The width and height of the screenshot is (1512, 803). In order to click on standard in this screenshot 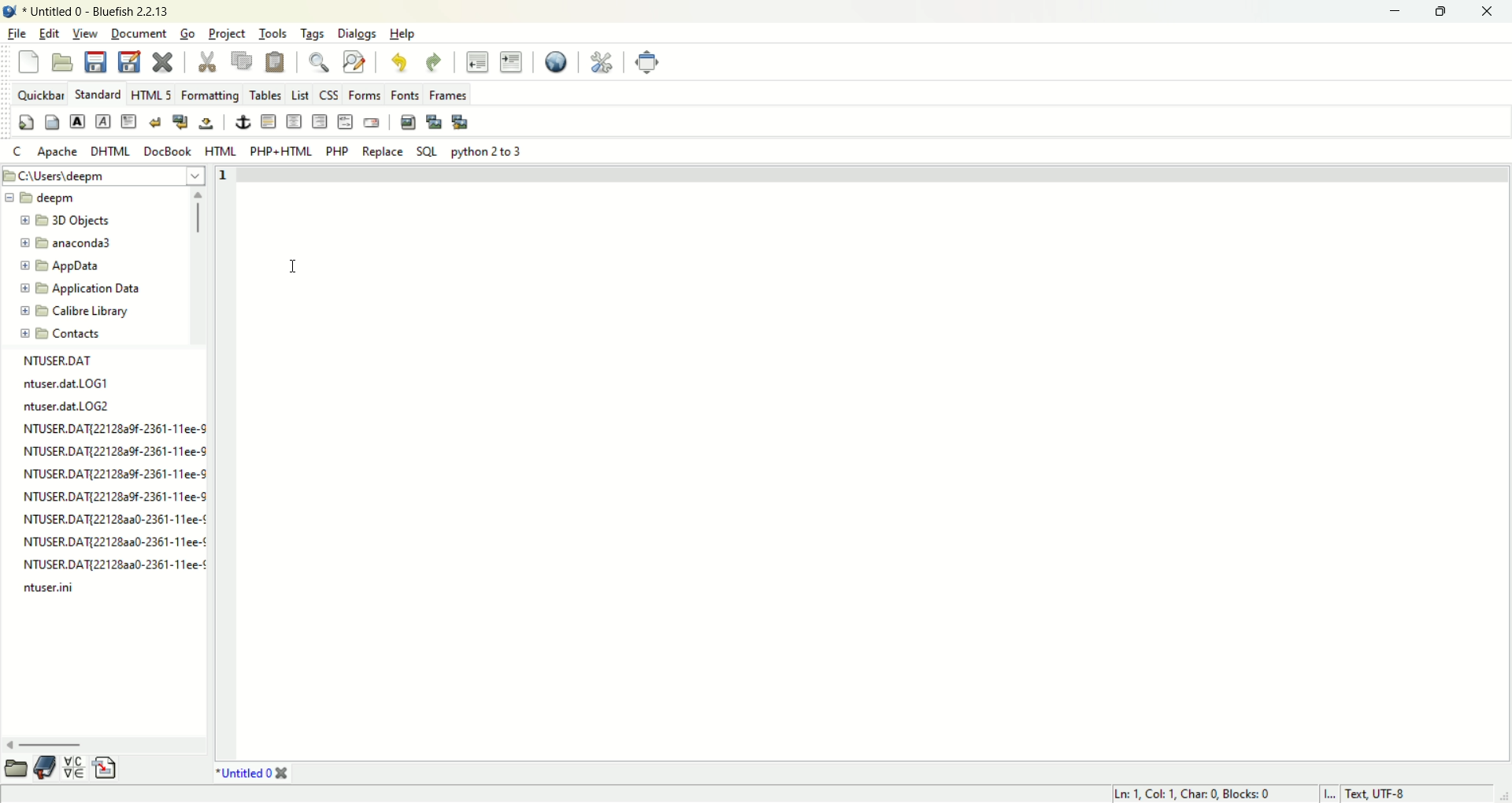, I will do `click(99, 94)`.